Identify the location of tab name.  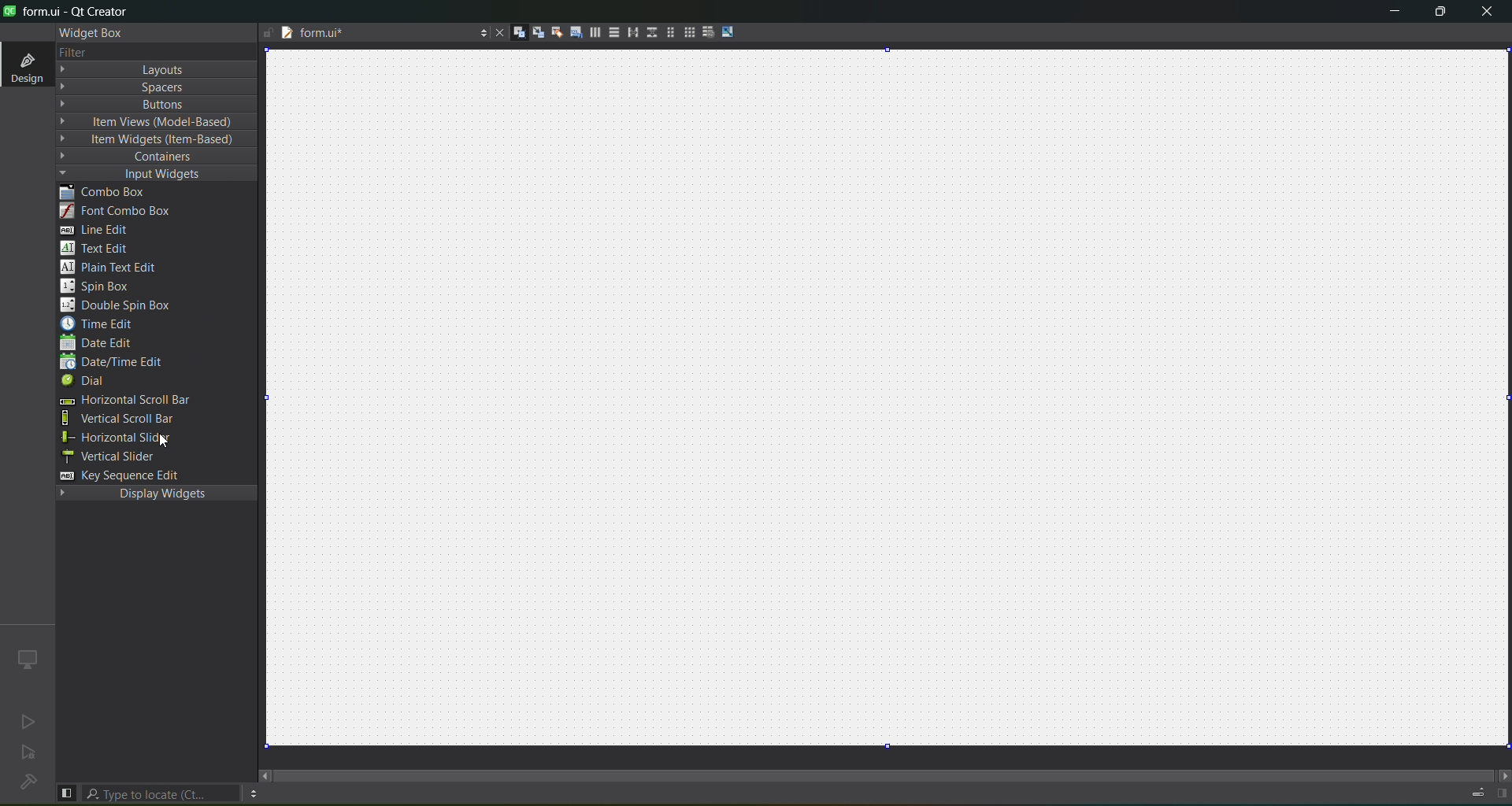
(339, 34).